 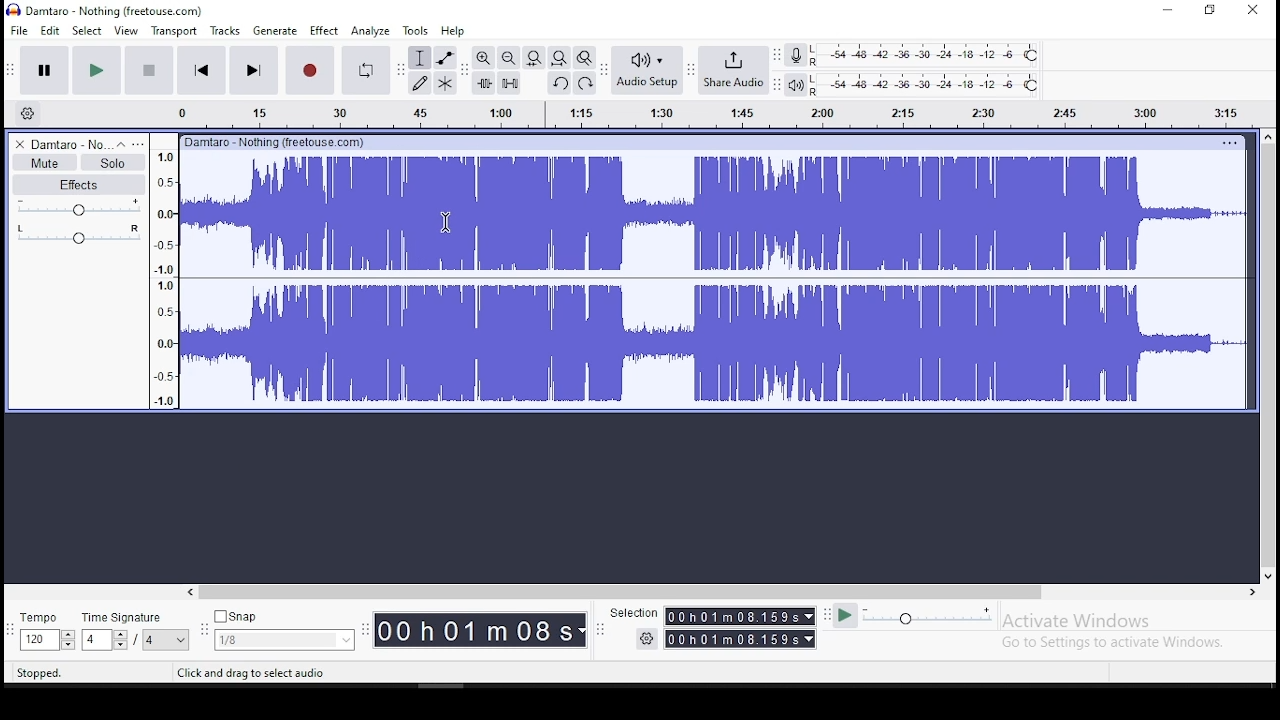 What do you see at coordinates (561, 84) in the screenshot?
I see `undo` at bounding box center [561, 84].